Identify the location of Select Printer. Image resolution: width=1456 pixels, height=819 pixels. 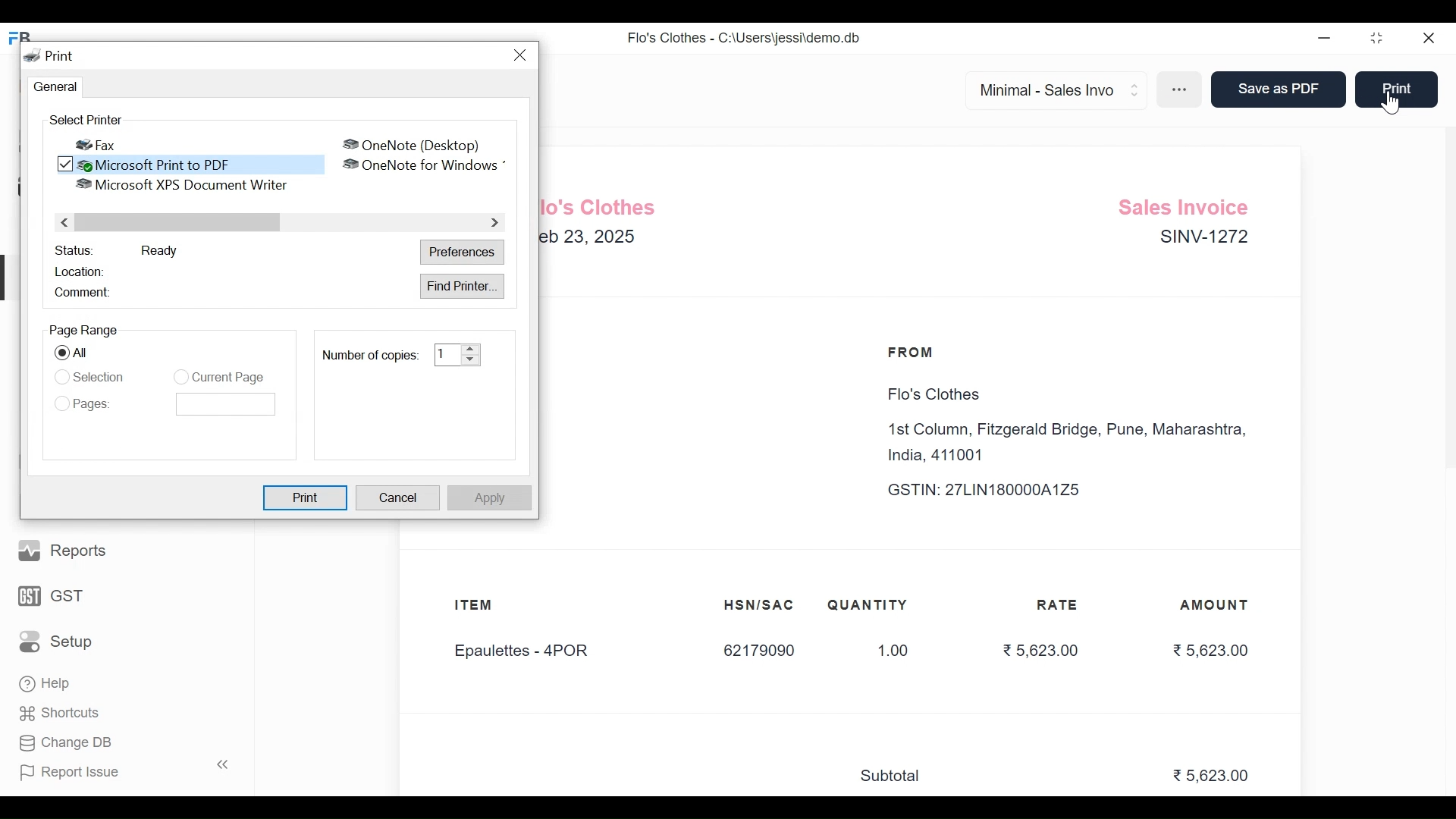
(83, 120).